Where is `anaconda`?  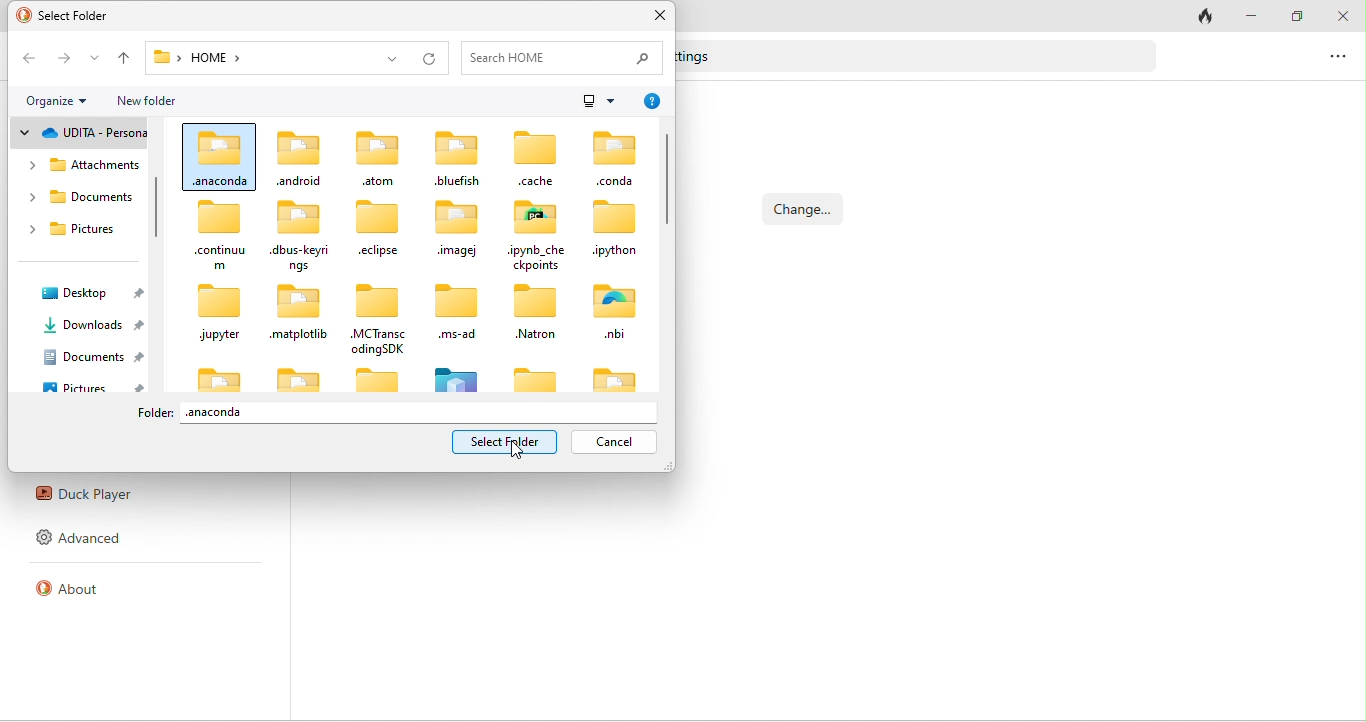
anaconda is located at coordinates (392, 414).